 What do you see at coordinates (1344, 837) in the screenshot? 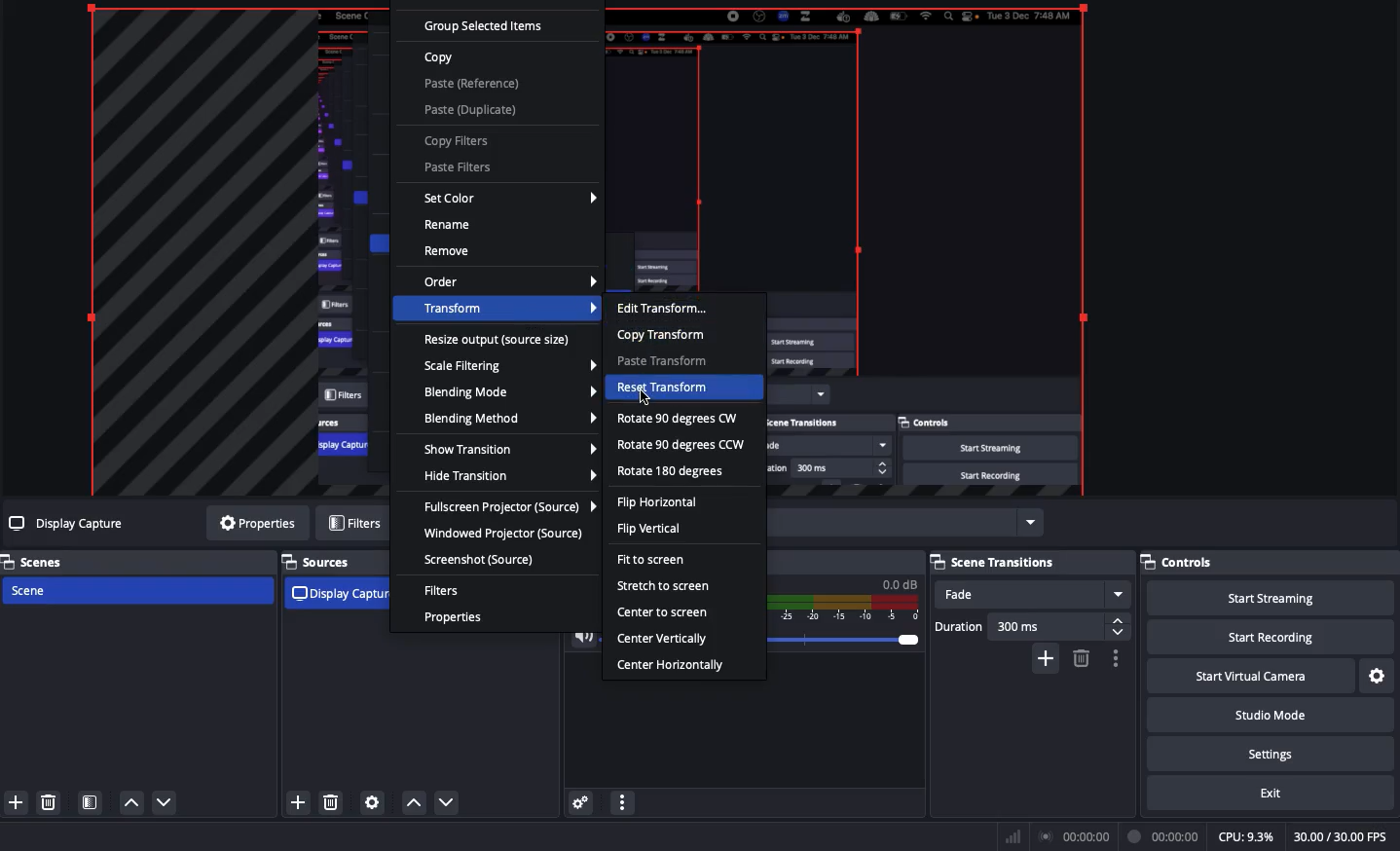
I see `FPS` at bounding box center [1344, 837].